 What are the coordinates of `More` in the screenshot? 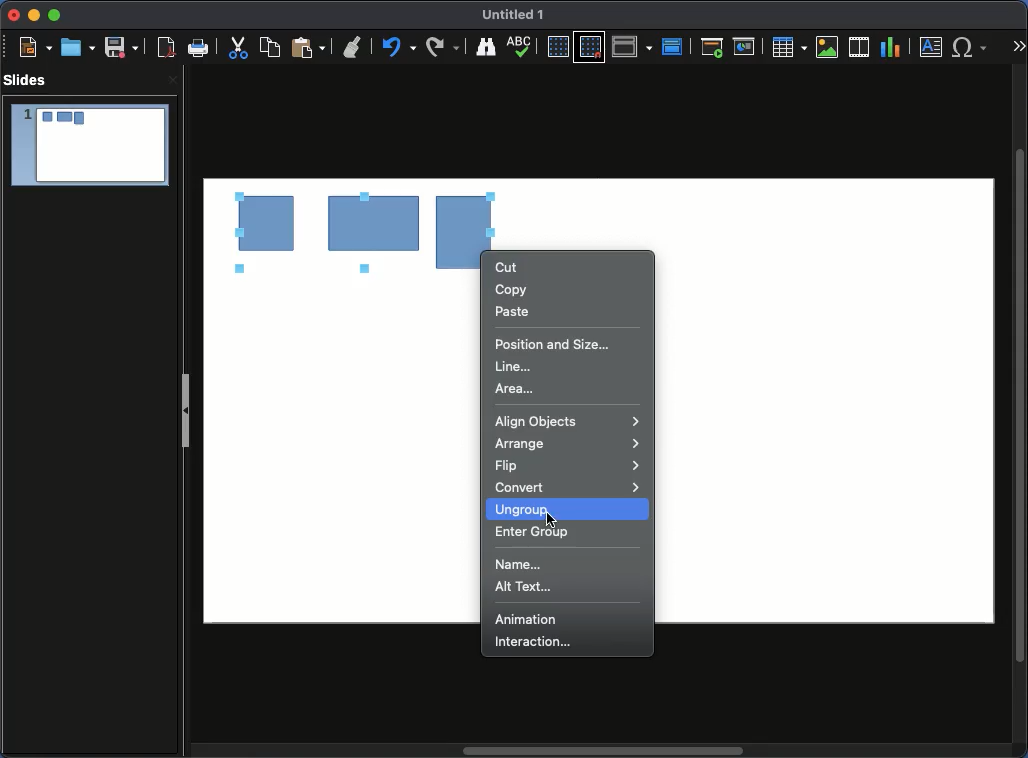 It's located at (1020, 46).